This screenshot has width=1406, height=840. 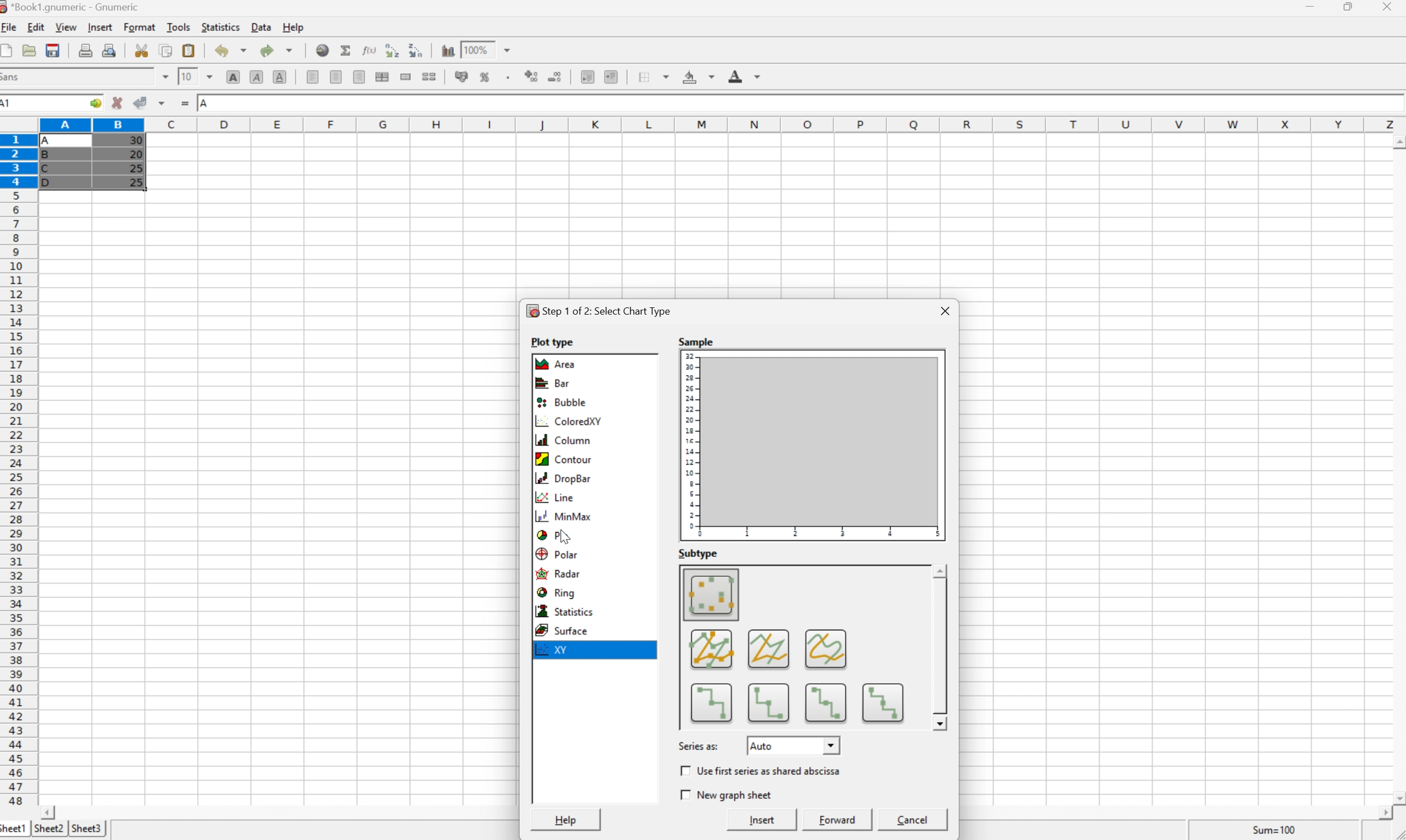 I want to click on Column names, so click(x=721, y=123).